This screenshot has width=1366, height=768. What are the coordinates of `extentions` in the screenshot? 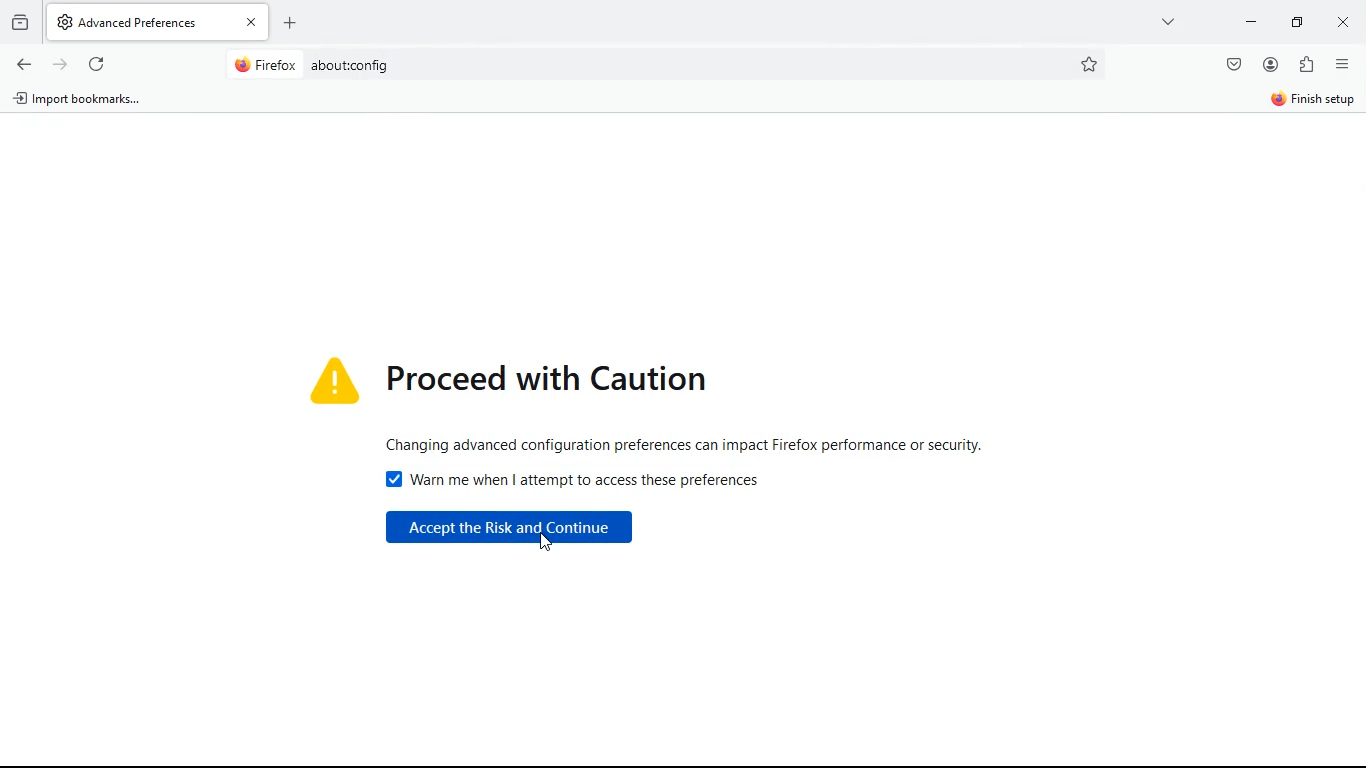 It's located at (1309, 65).